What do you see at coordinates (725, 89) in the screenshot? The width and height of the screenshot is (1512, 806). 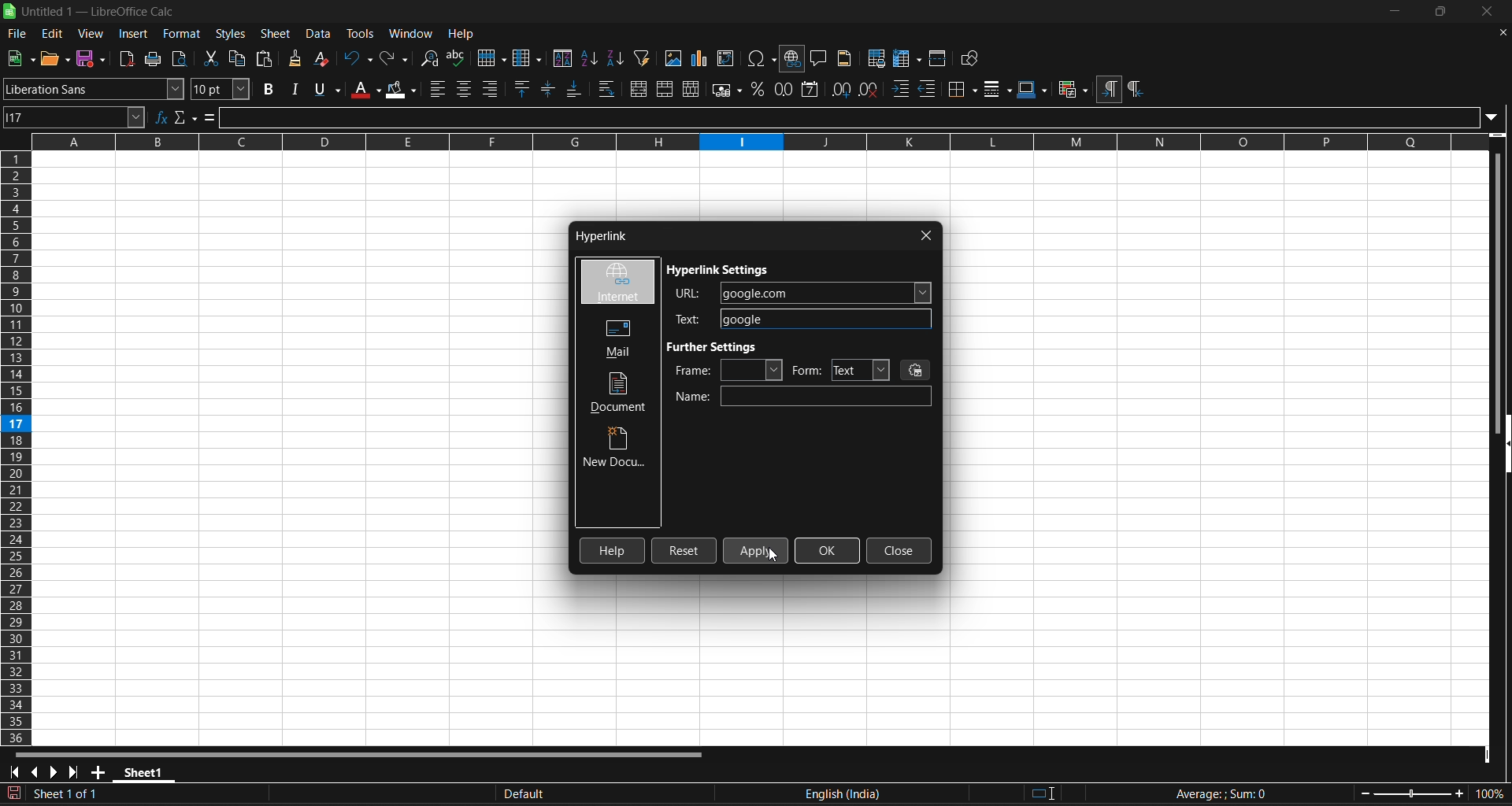 I see `format as currency` at bounding box center [725, 89].